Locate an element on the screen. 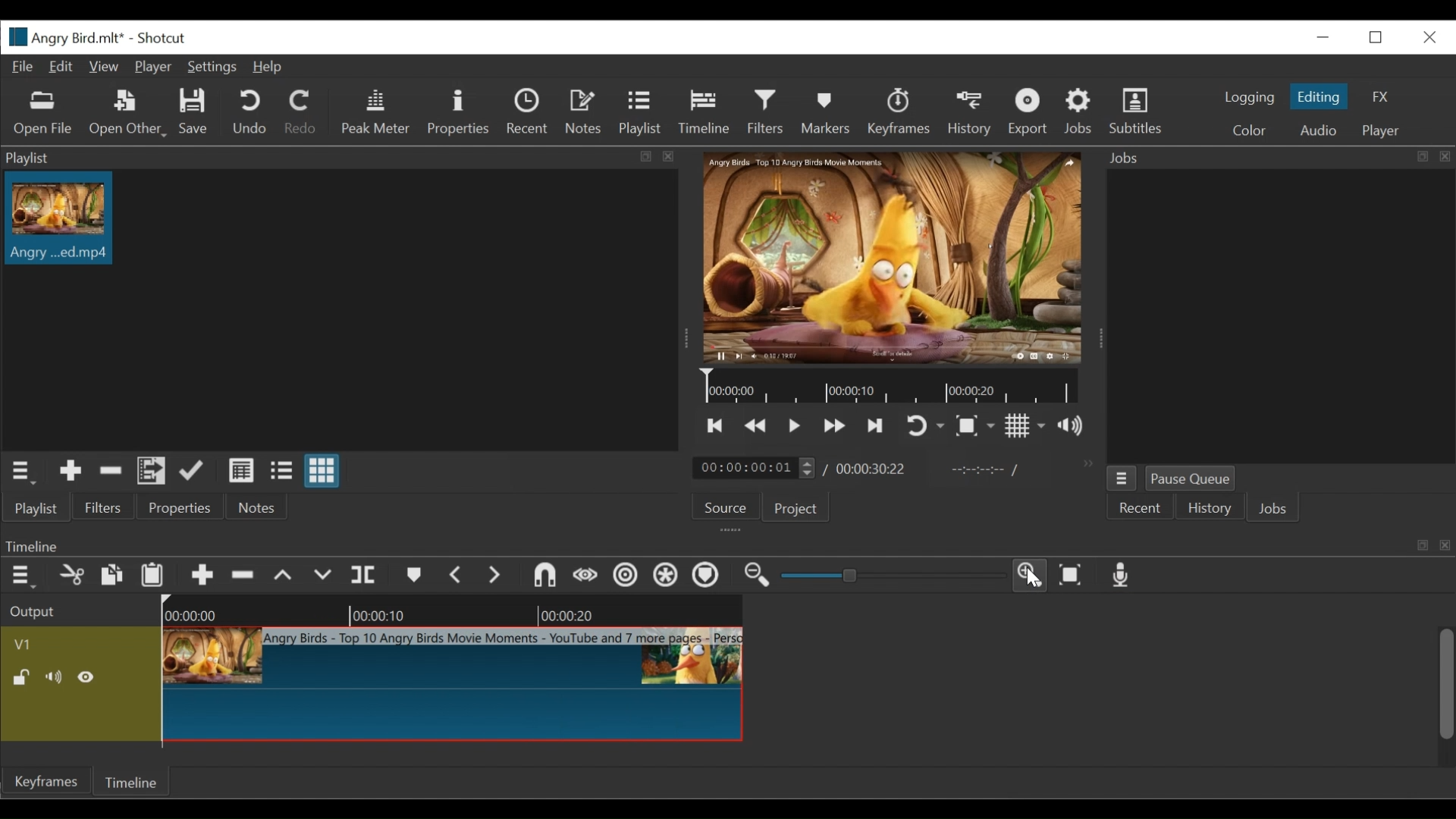 This screenshot has height=819, width=1456. Clip  is located at coordinates (65, 222).